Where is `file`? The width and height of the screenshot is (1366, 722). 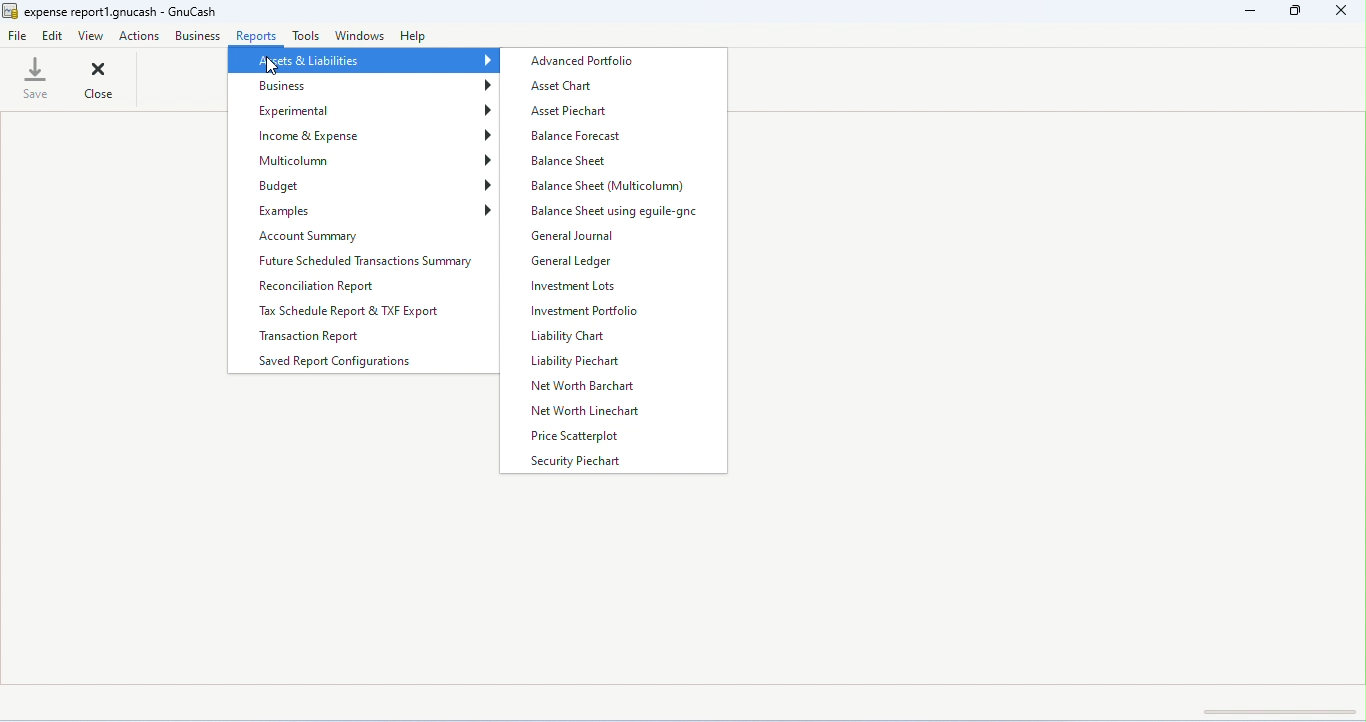
file is located at coordinates (18, 34).